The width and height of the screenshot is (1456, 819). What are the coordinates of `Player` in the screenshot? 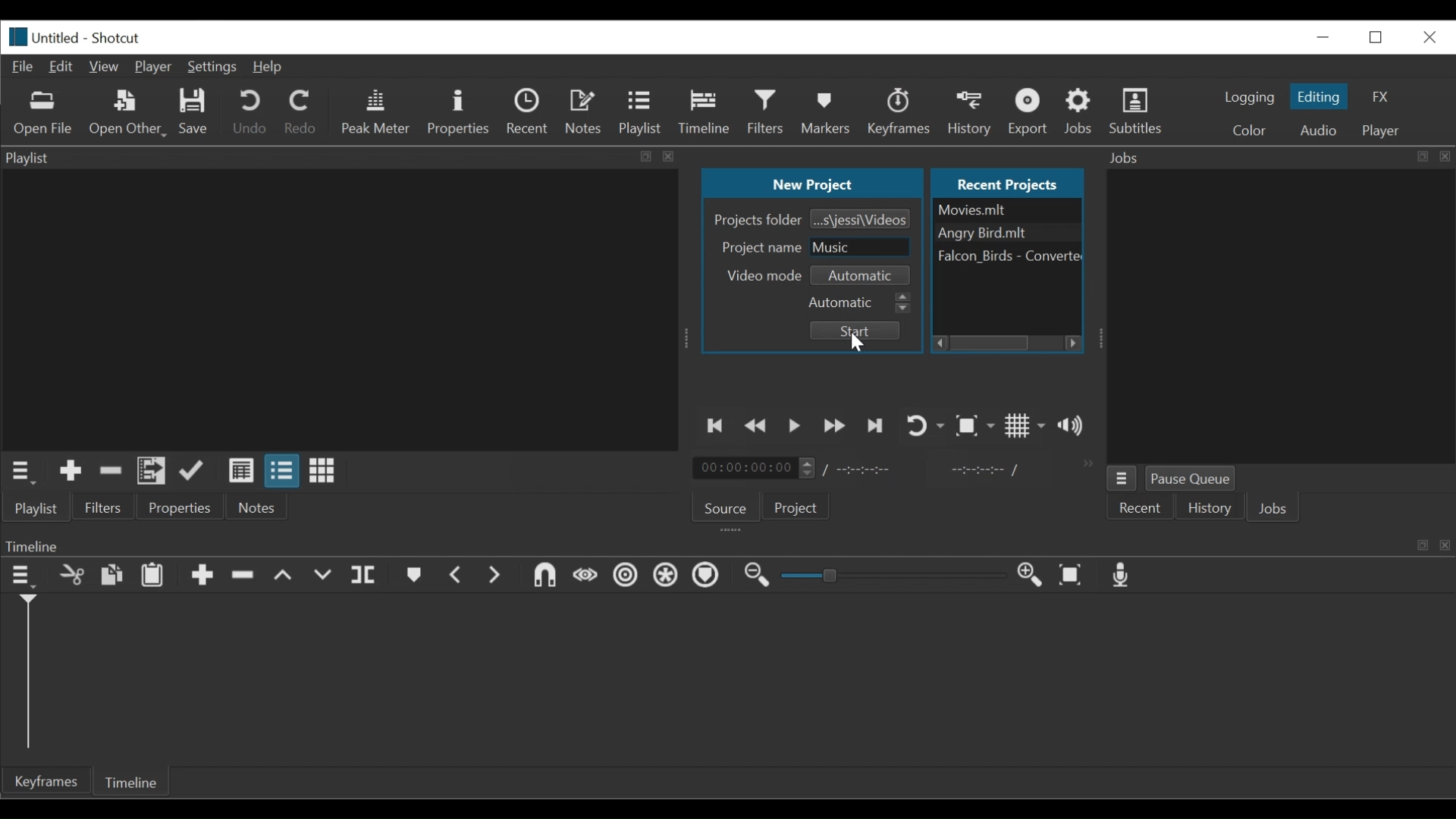 It's located at (1380, 132).